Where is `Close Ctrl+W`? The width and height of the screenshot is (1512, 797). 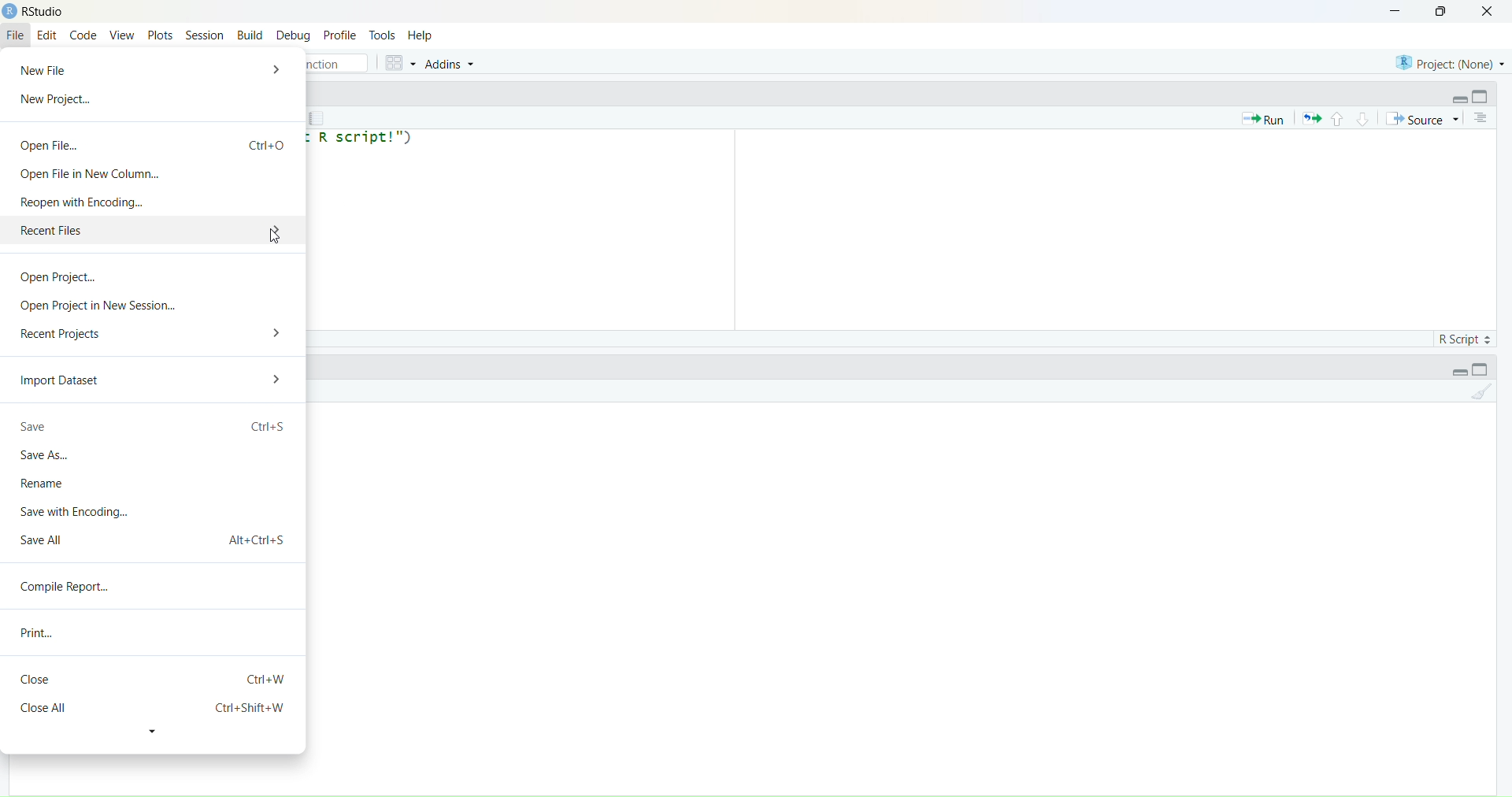
Close Ctrl+W is located at coordinates (155, 679).